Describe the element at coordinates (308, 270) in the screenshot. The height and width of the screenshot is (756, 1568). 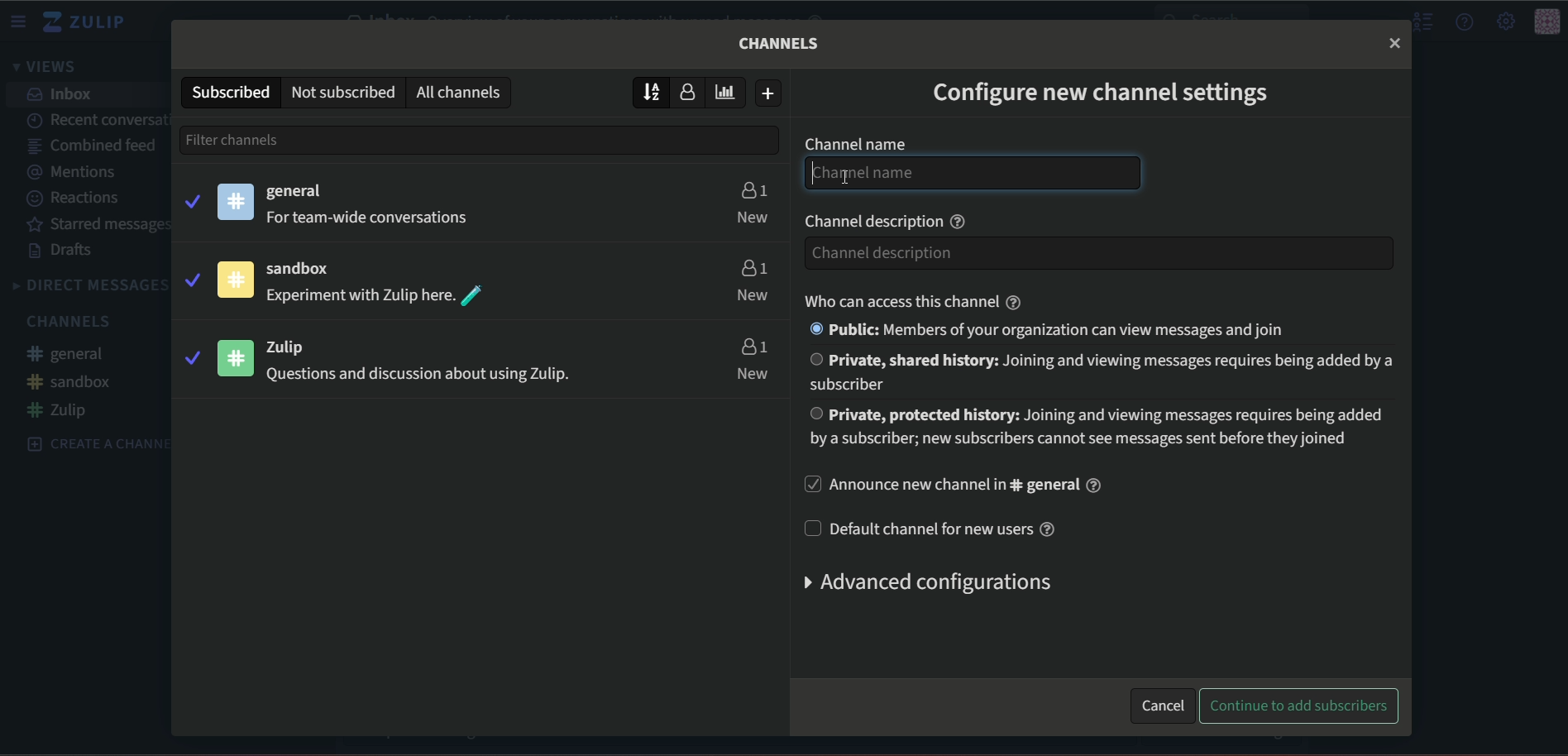
I see `sandbox` at that location.